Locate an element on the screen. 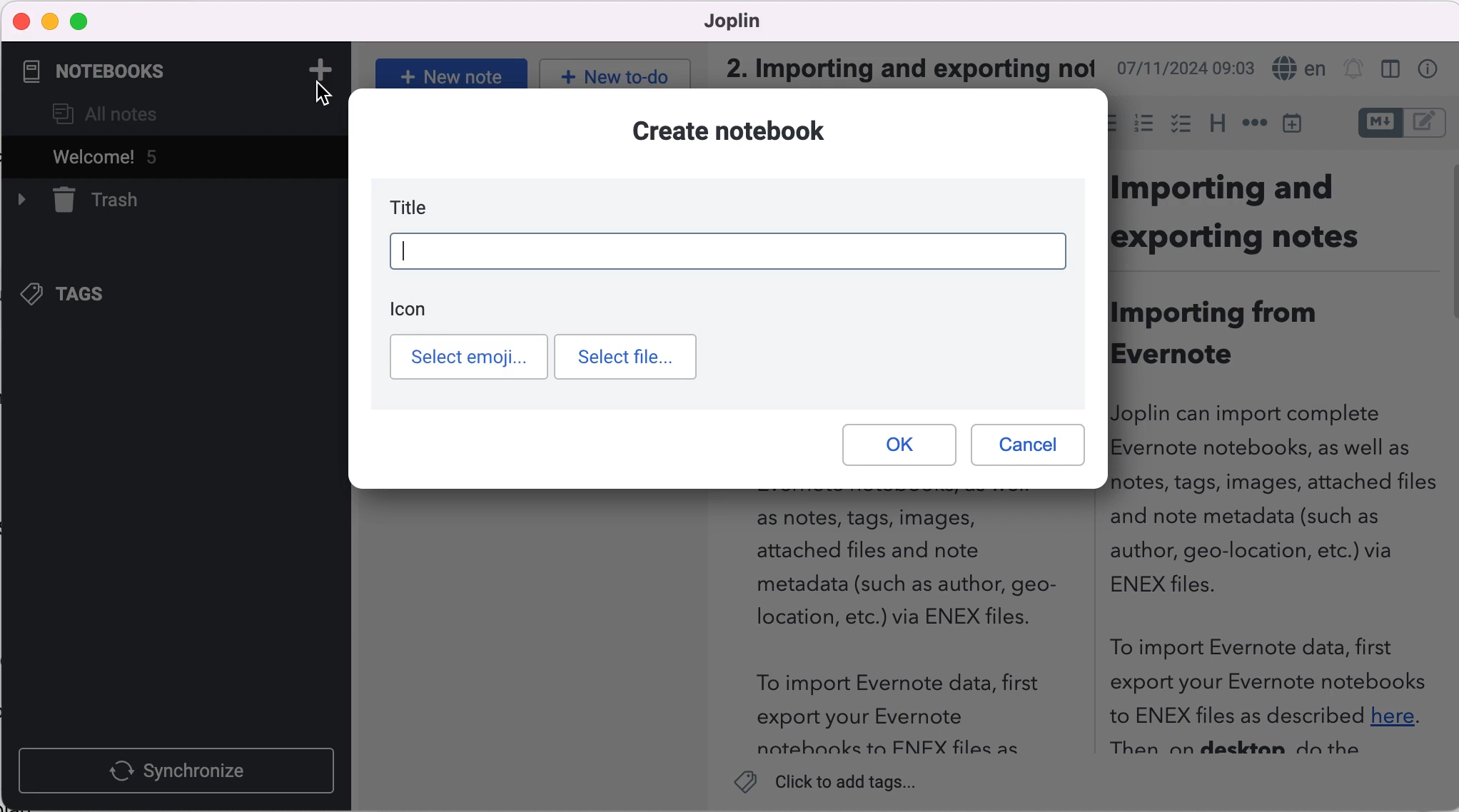 The image size is (1459, 812). minimize is located at coordinates (50, 21).